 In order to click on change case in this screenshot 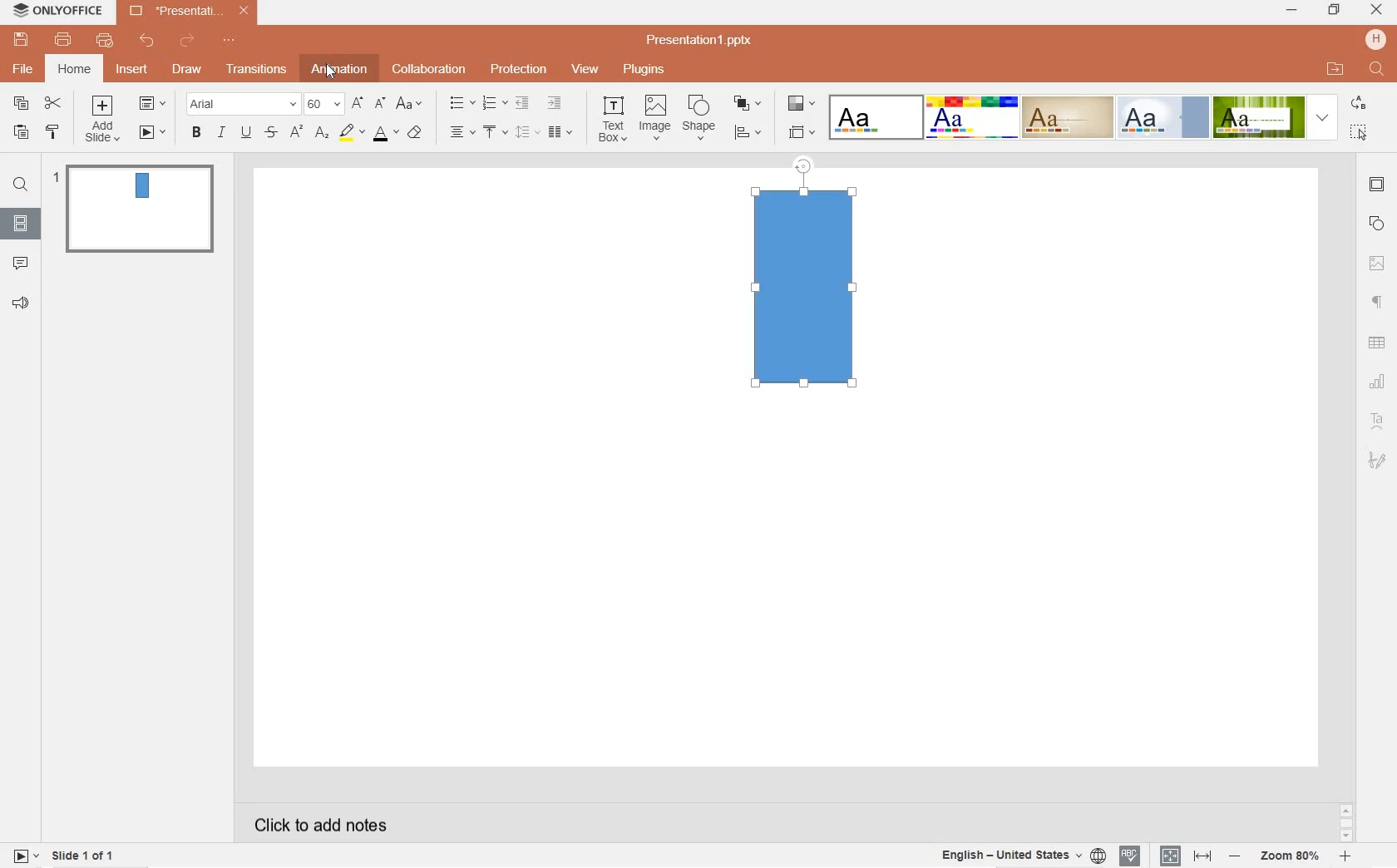, I will do `click(410, 104)`.